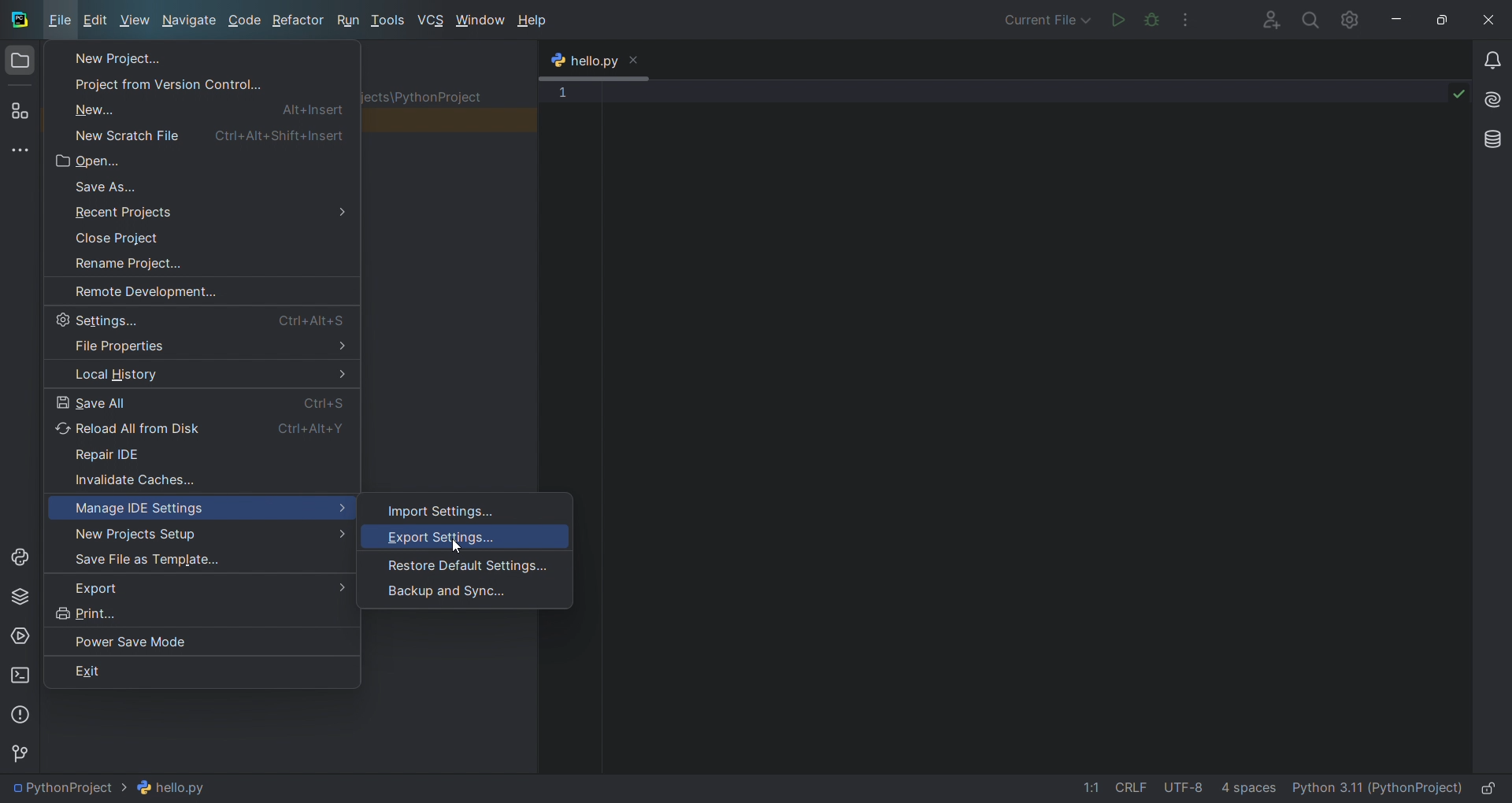 The width and height of the screenshot is (1512, 803). What do you see at coordinates (203, 235) in the screenshot?
I see `close project` at bounding box center [203, 235].